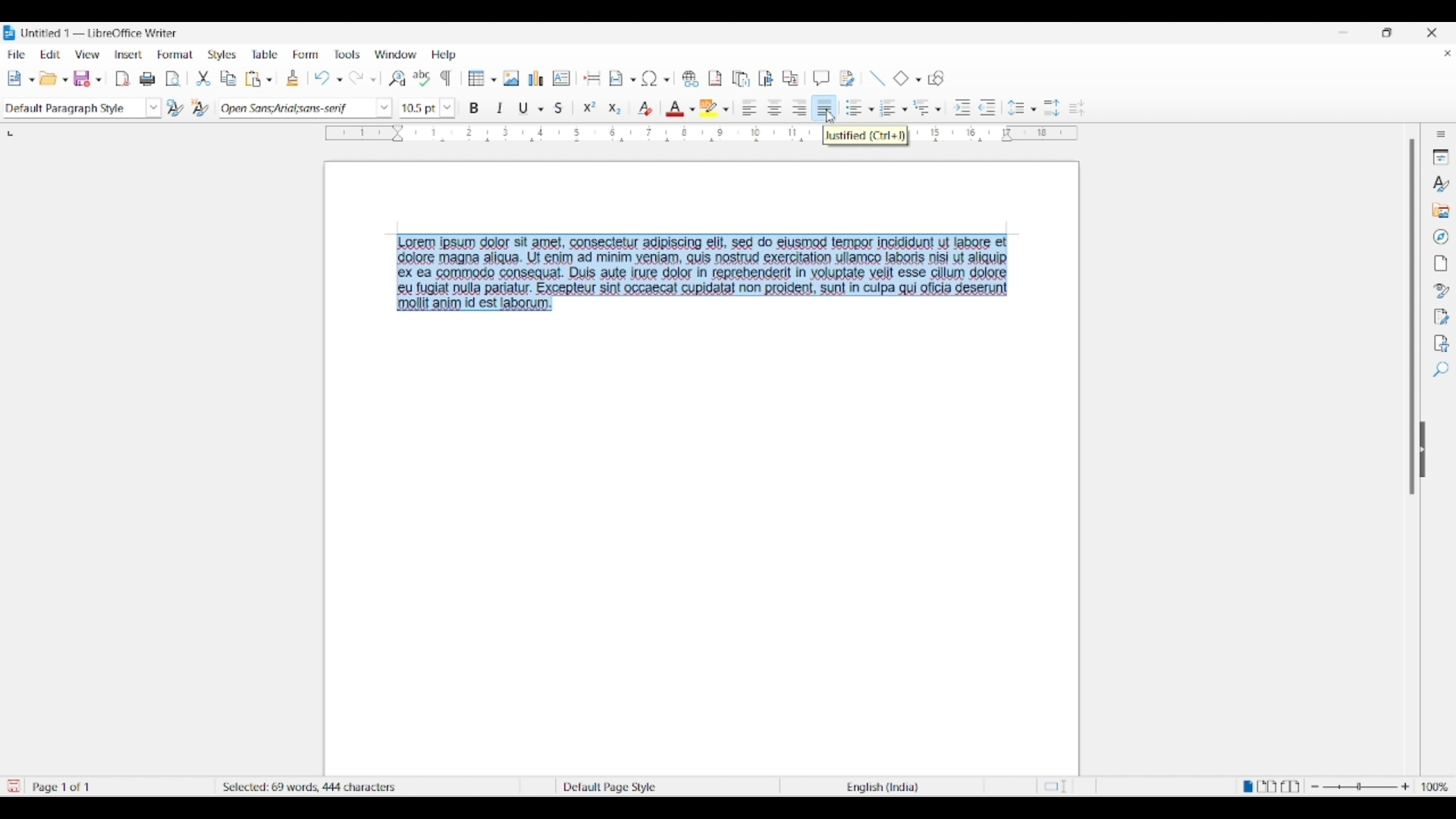  I want to click on Selected line spacing, so click(1015, 108).